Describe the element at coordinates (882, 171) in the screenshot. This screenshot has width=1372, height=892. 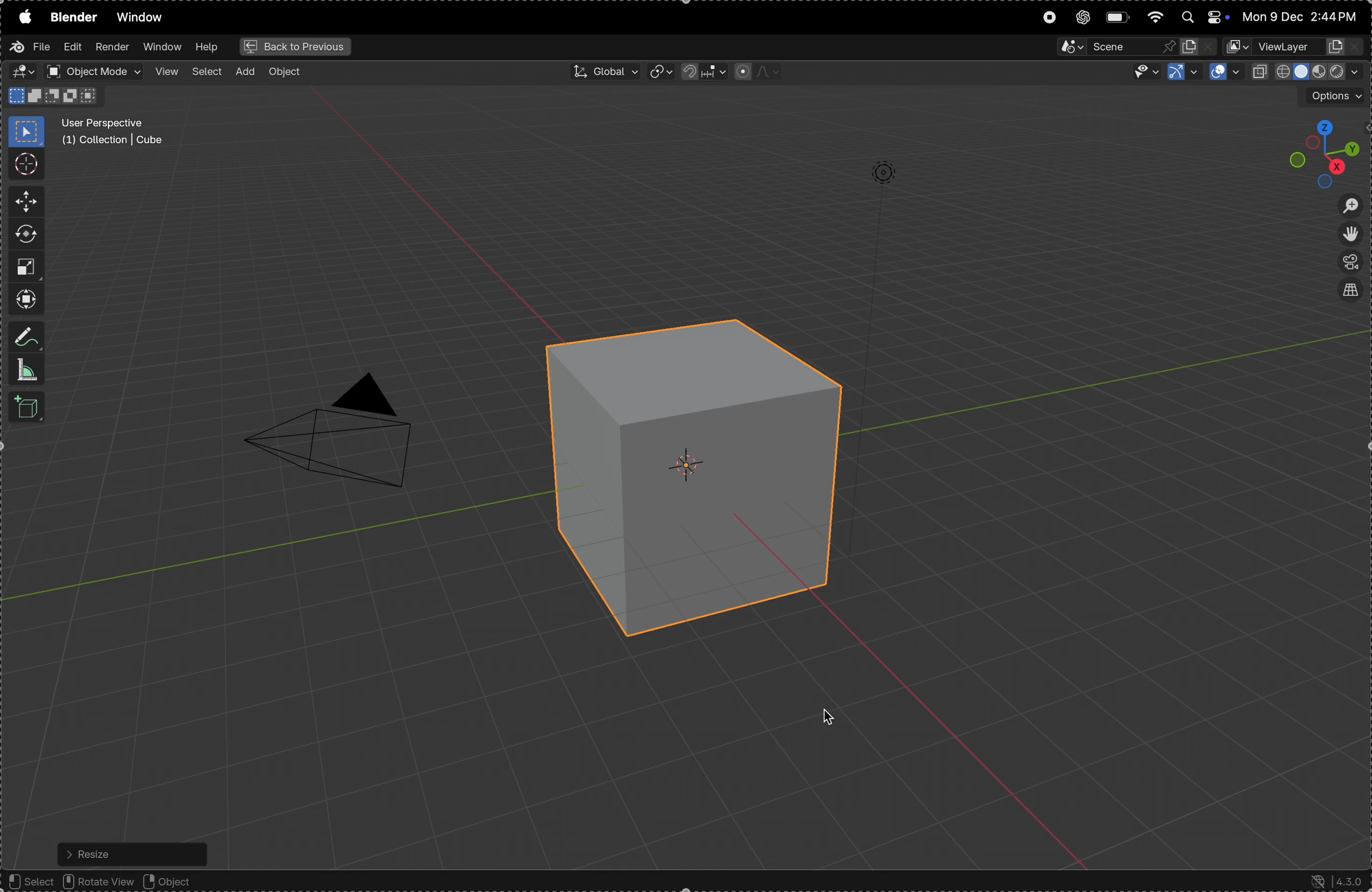
I see `lights` at that location.